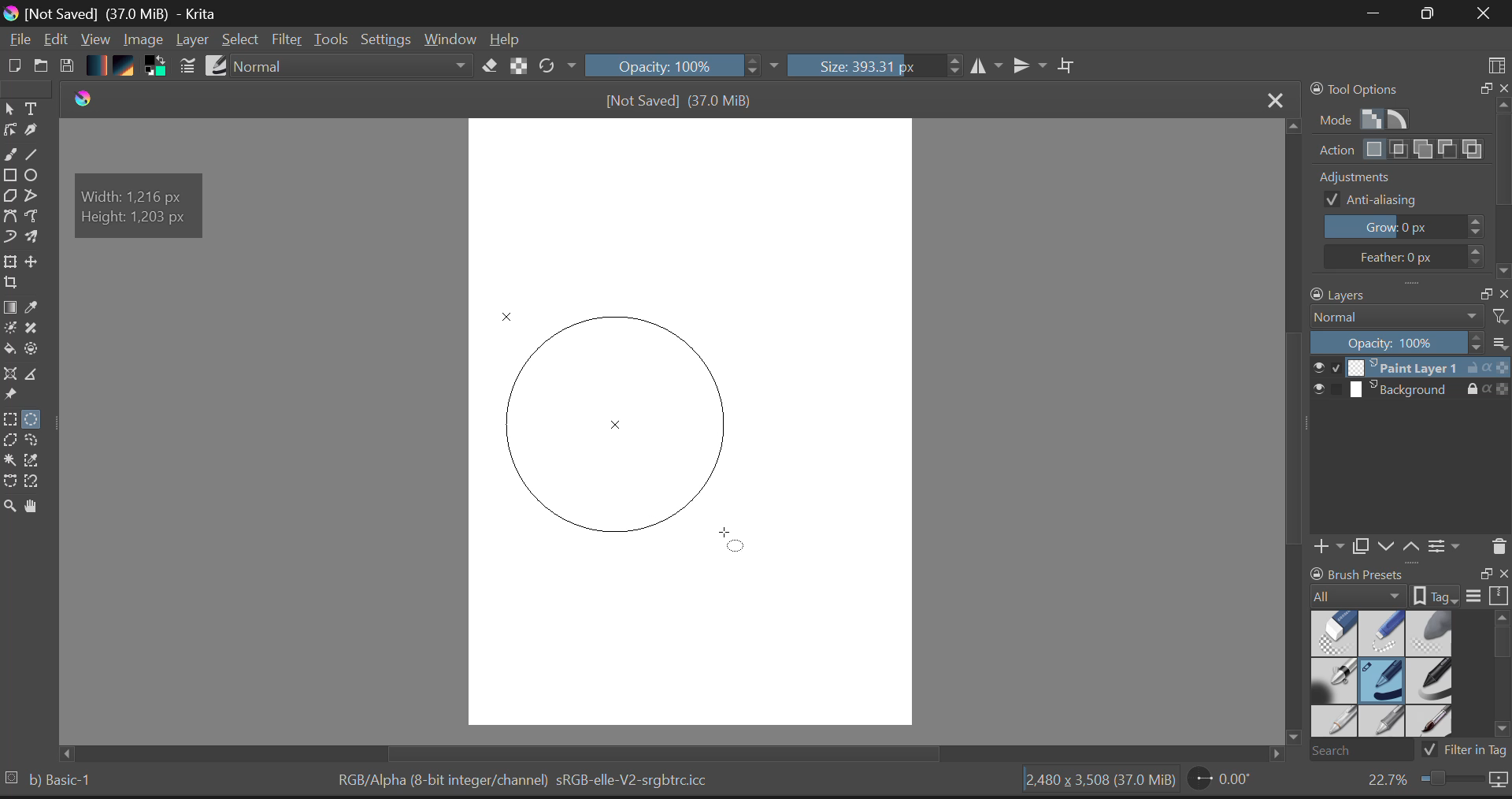  Describe the element at coordinates (1291, 440) in the screenshot. I see `Scroll Bar` at that location.